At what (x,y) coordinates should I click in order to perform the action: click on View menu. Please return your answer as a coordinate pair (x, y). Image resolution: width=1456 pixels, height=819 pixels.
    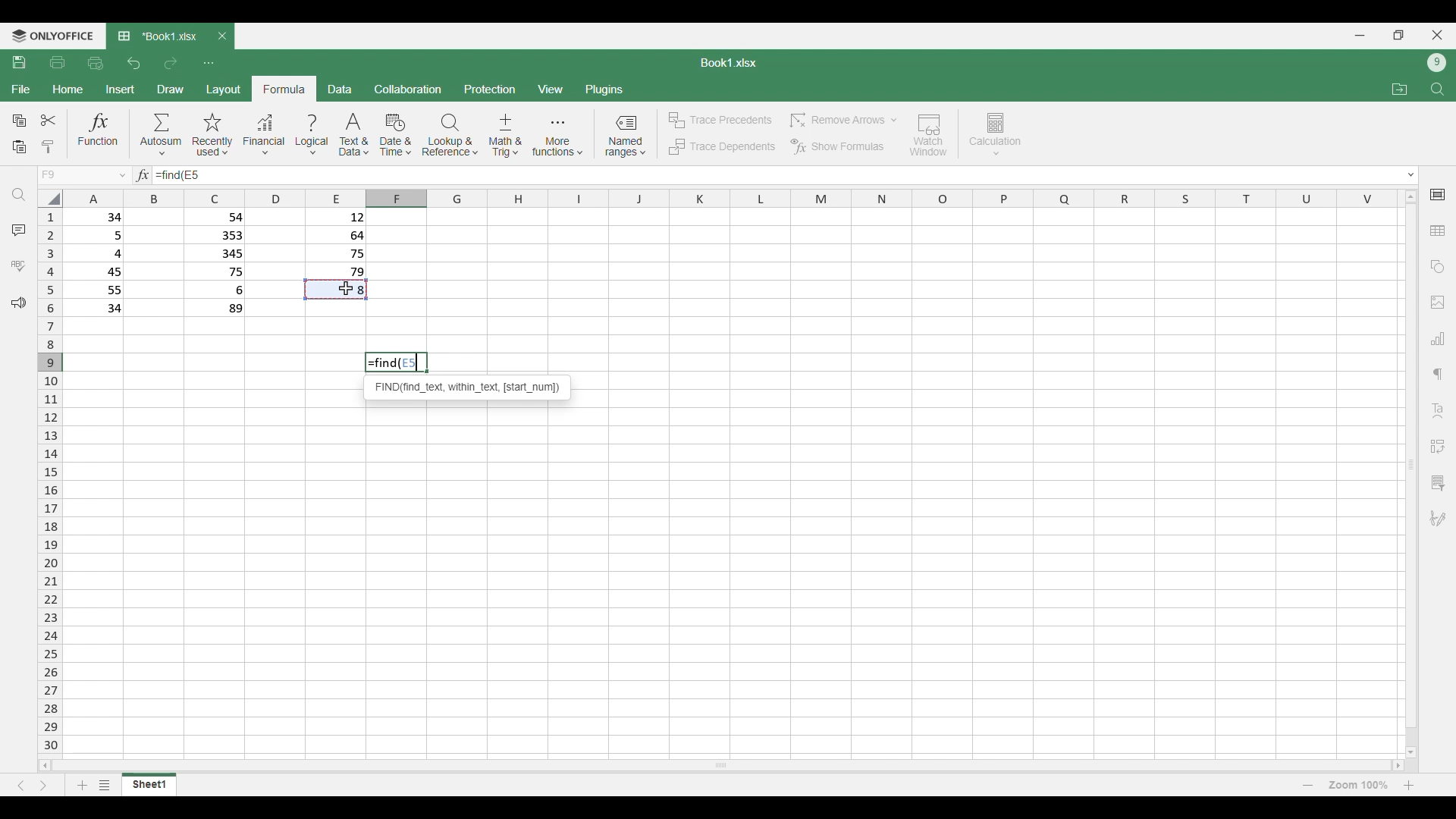
    Looking at the image, I should click on (550, 89).